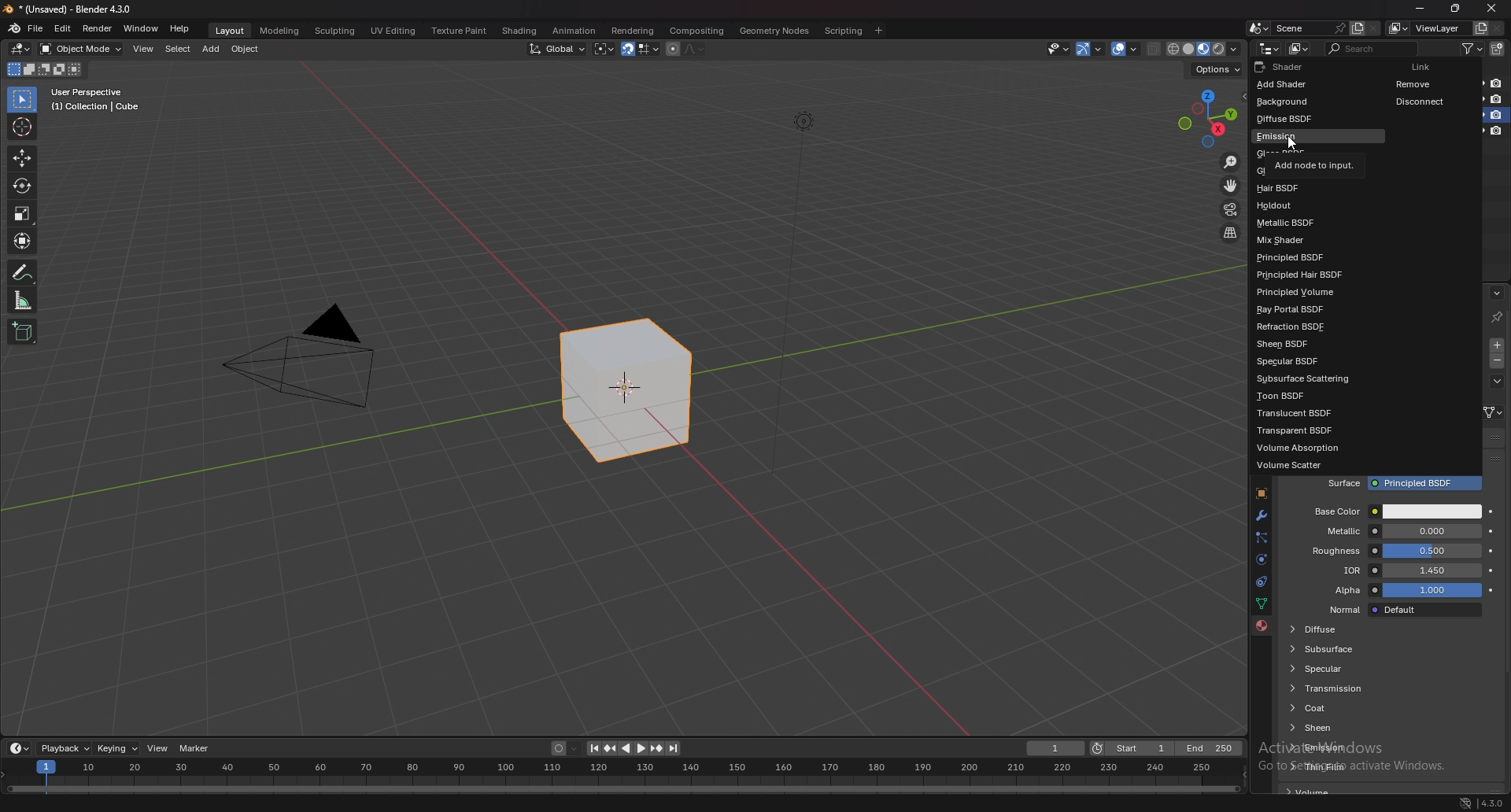  Describe the element at coordinates (65, 28) in the screenshot. I see `edit` at that location.